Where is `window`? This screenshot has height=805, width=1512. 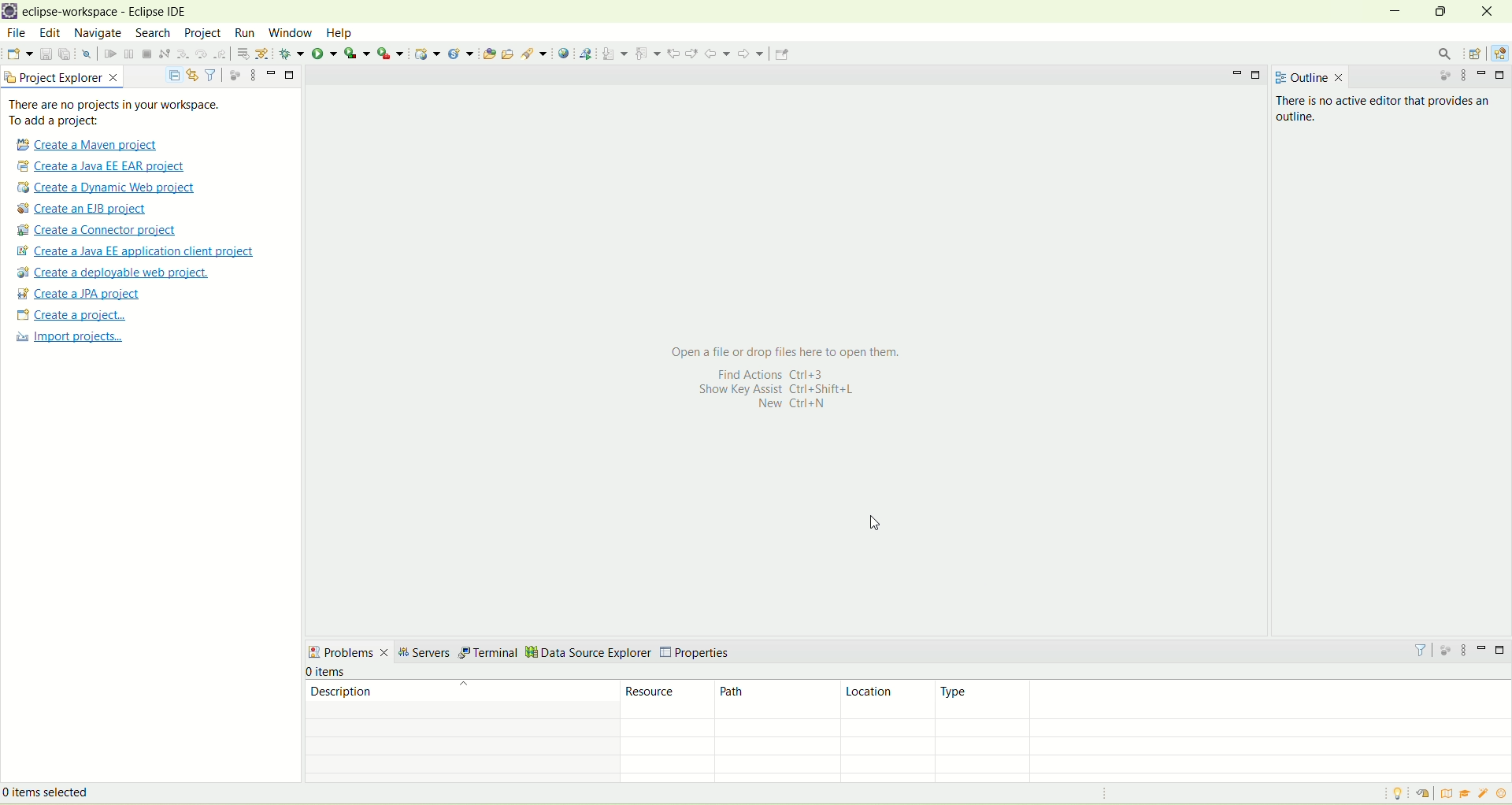
window is located at coordinates (290, 34).